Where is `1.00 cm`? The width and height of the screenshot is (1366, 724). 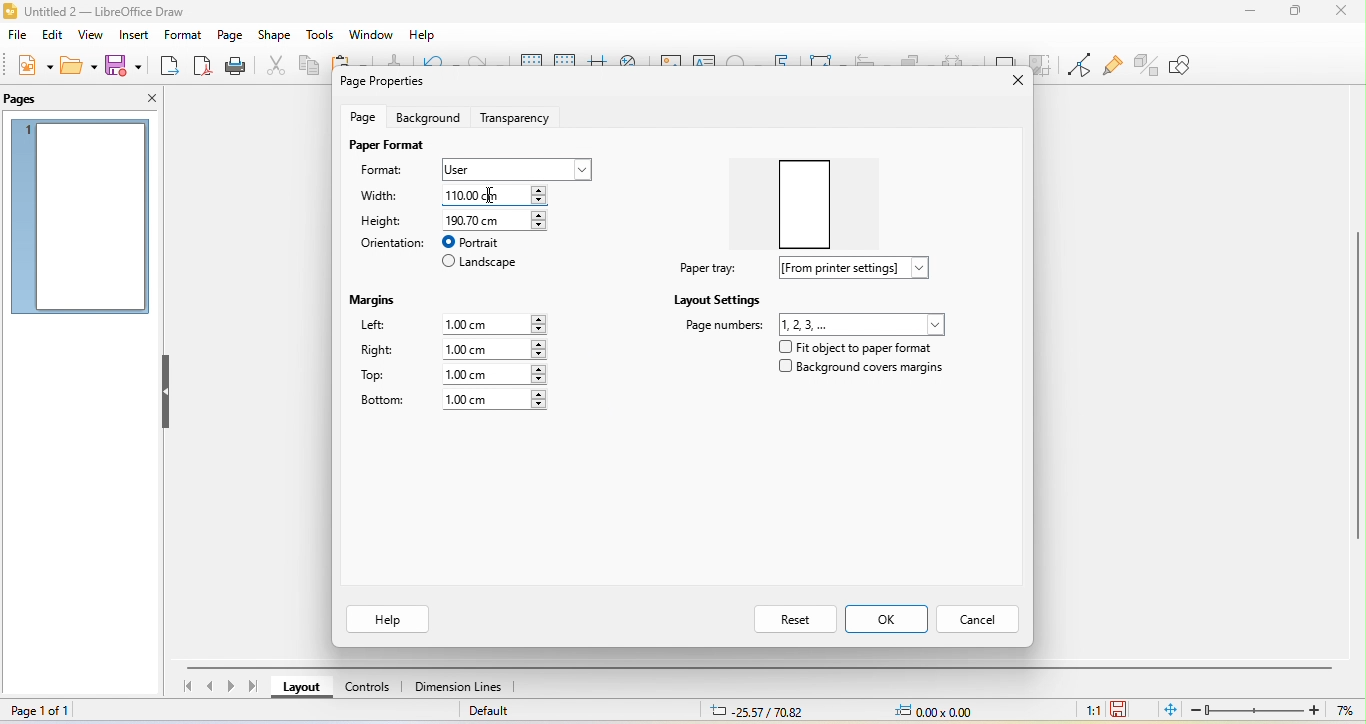
1.00 cm is located at coordinates (493, 349).